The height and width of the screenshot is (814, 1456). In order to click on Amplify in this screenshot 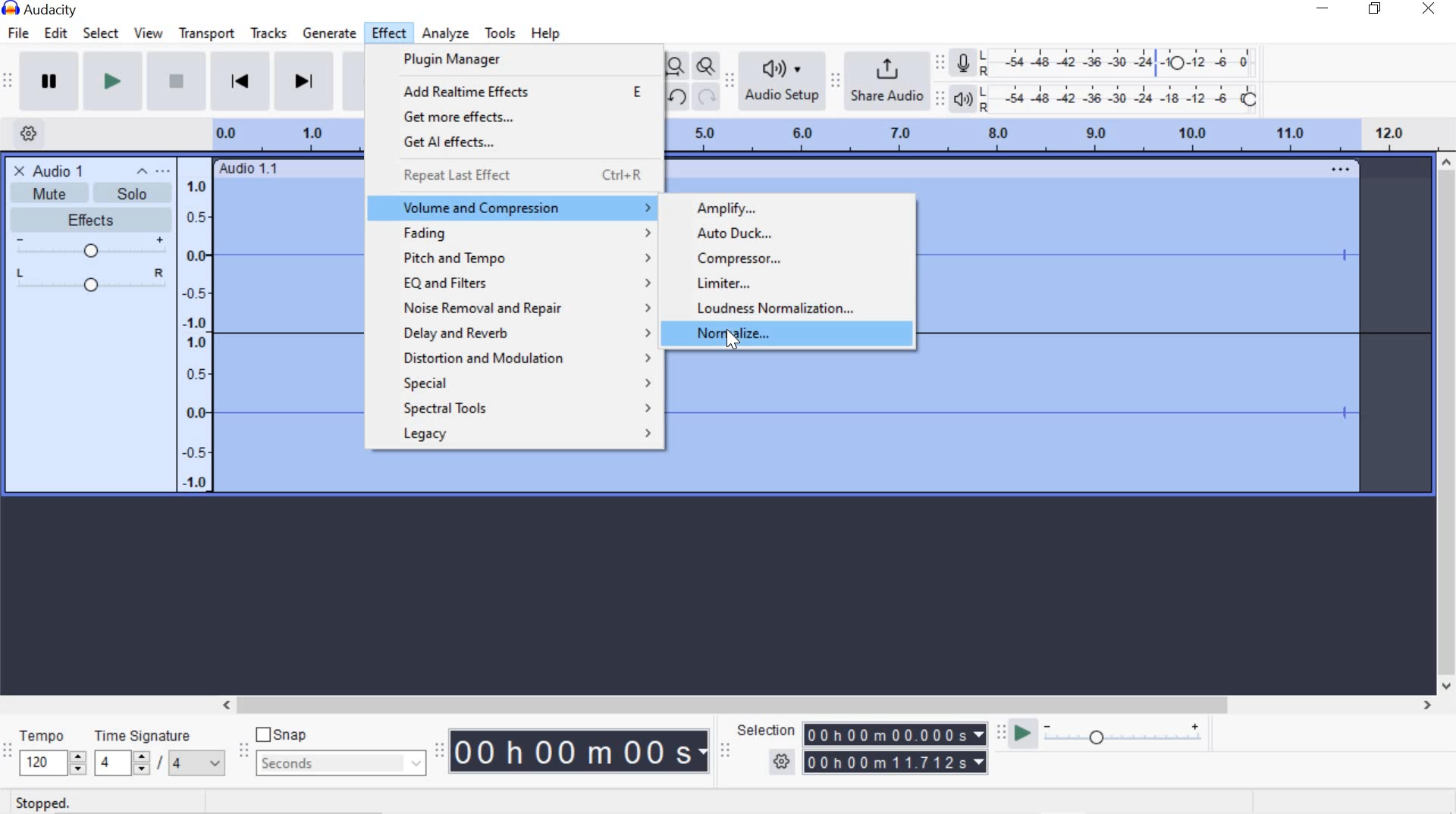, I will do `click(726, 209)`.